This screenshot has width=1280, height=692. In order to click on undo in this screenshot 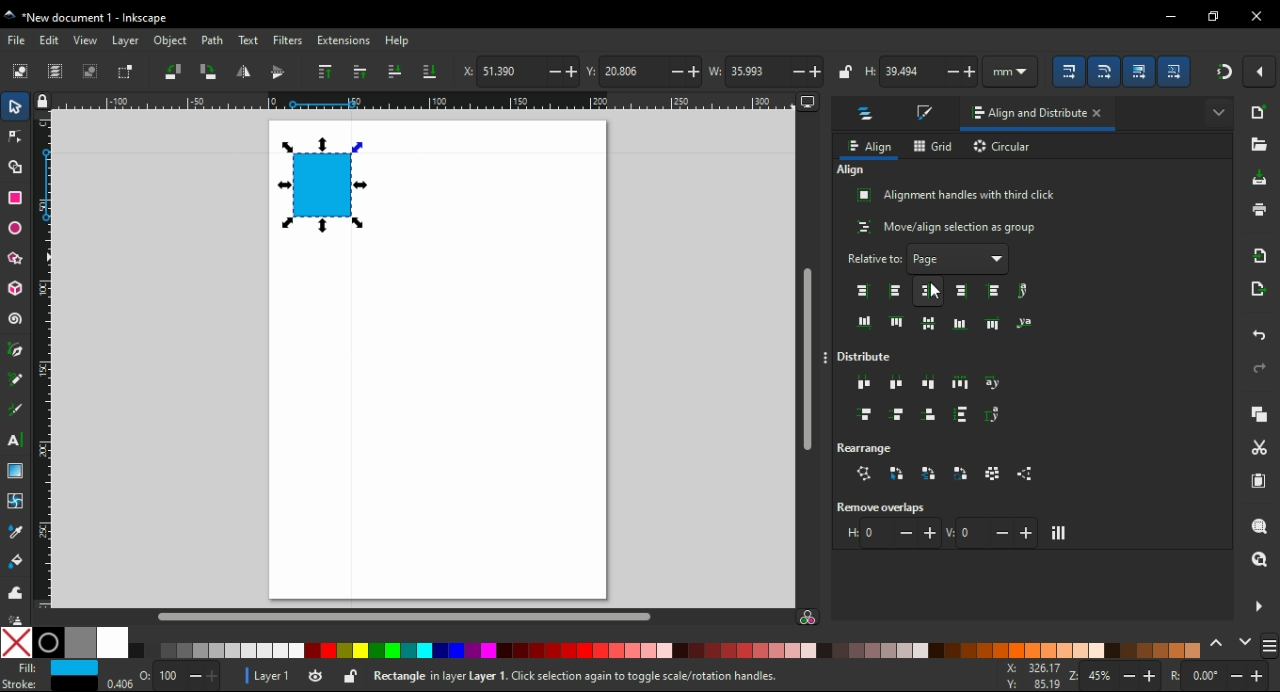, I will do `click(1261, 337)`.